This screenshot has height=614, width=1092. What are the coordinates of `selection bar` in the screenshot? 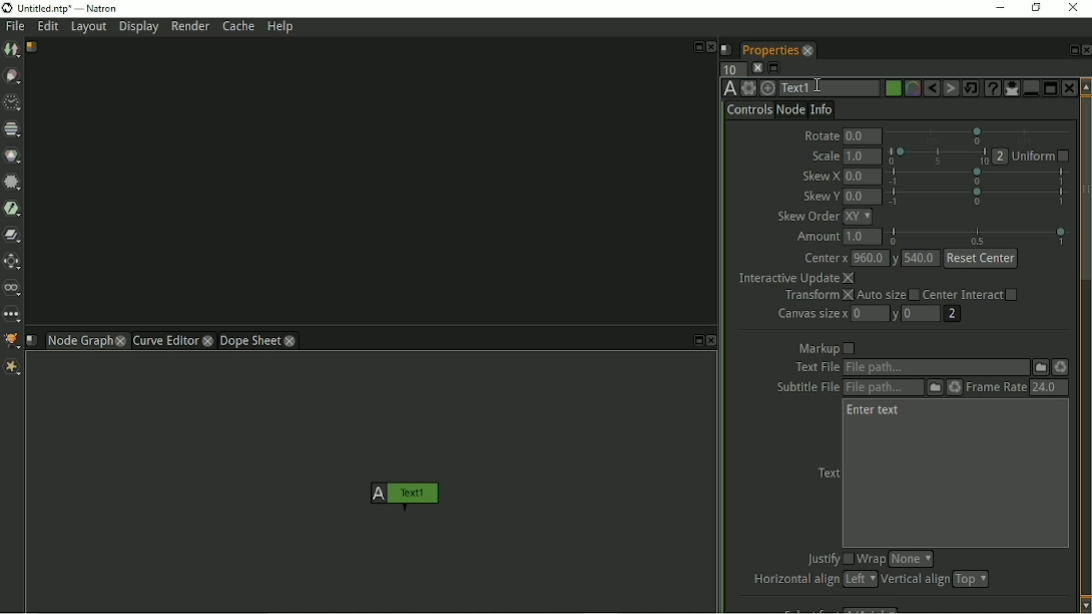 It's located at (938, 156).